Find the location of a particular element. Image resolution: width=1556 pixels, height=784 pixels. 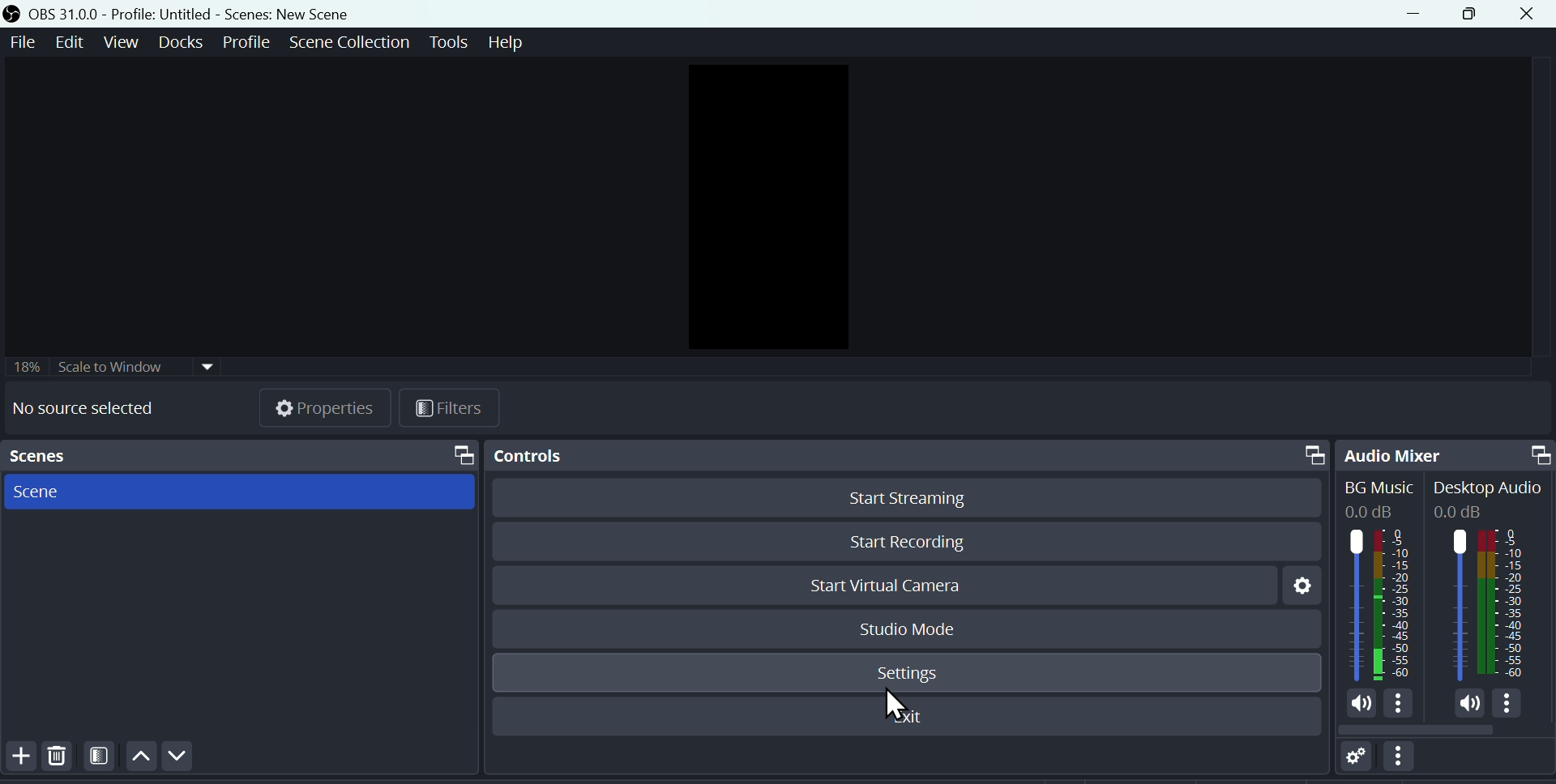

Profile is located at coordinates (244, 45).